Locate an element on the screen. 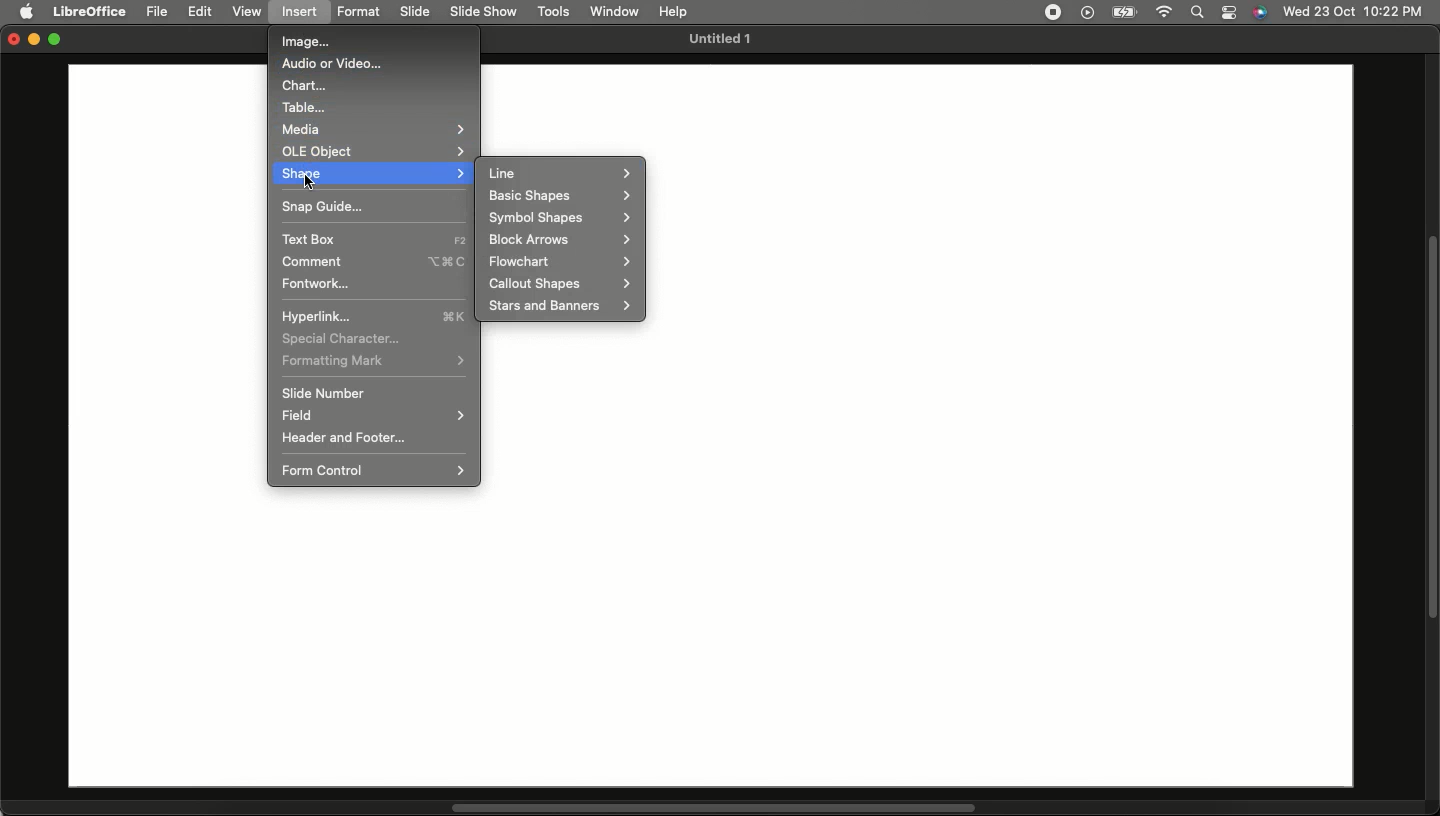 This screenshot has width=1440, height=816. Image is located at coordinates (304, 43).